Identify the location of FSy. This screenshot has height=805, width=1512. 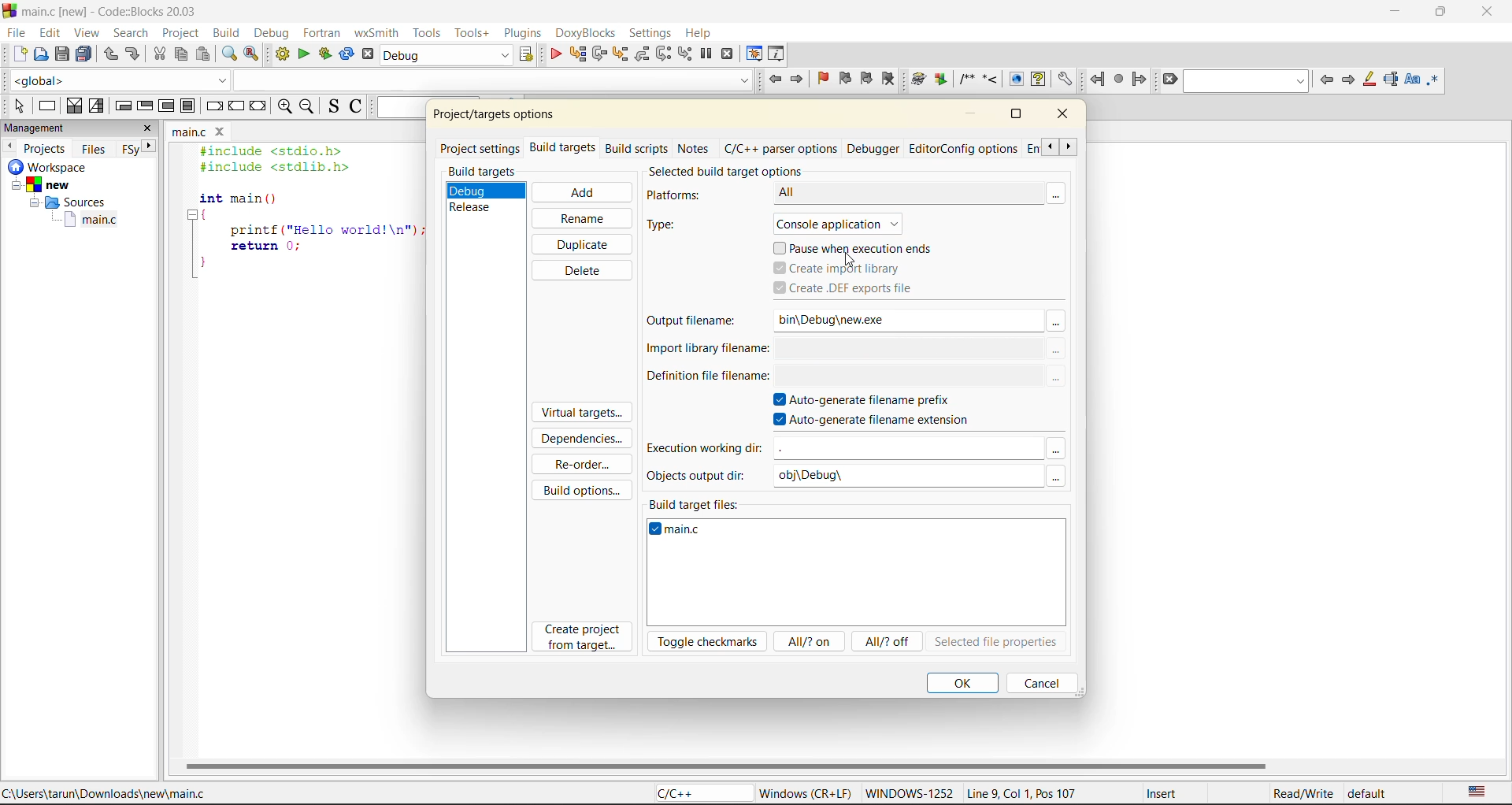
(131, 148).